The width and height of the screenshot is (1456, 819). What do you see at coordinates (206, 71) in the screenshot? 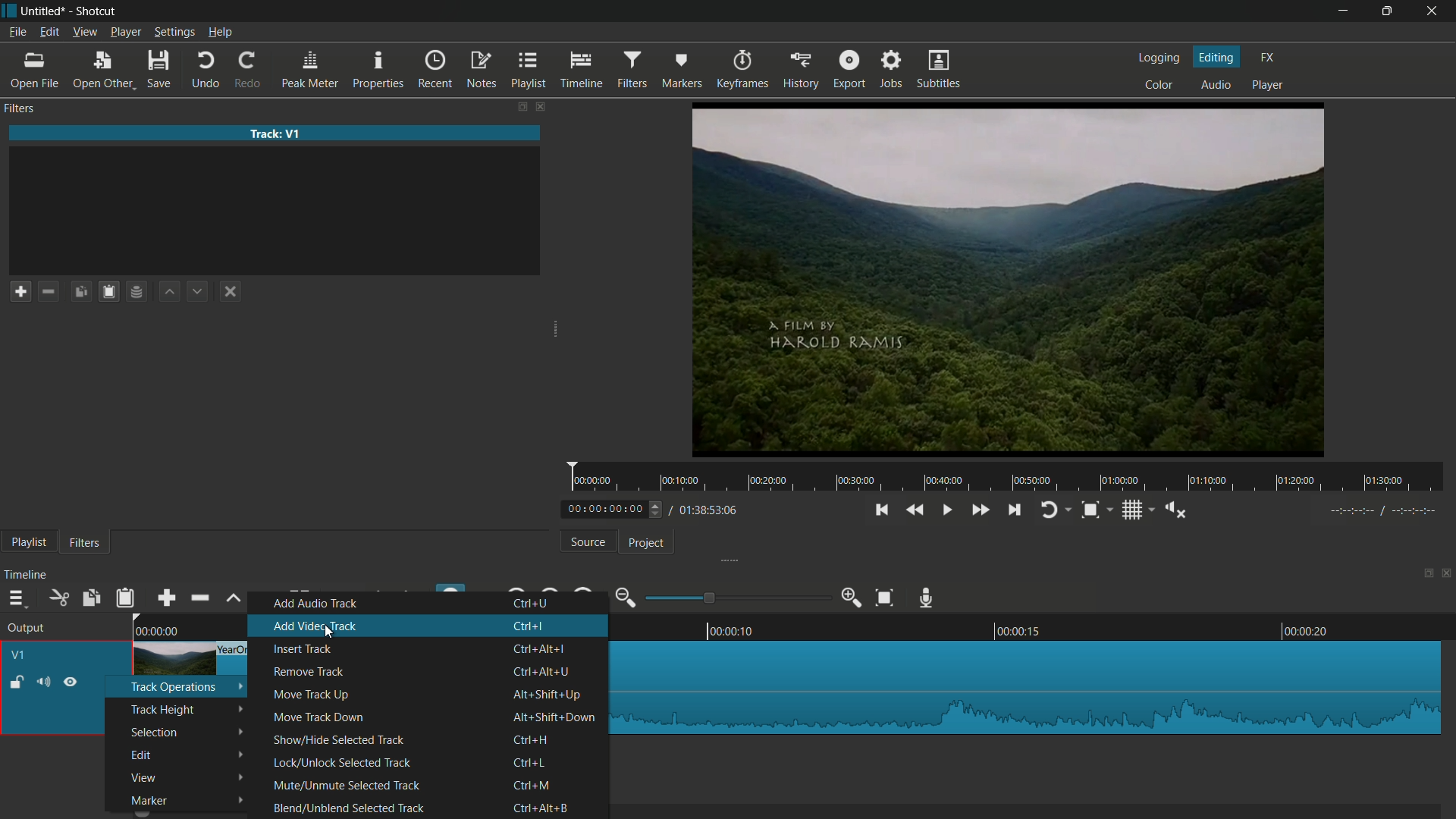
I see `undo` at bounding box center [206, 71].